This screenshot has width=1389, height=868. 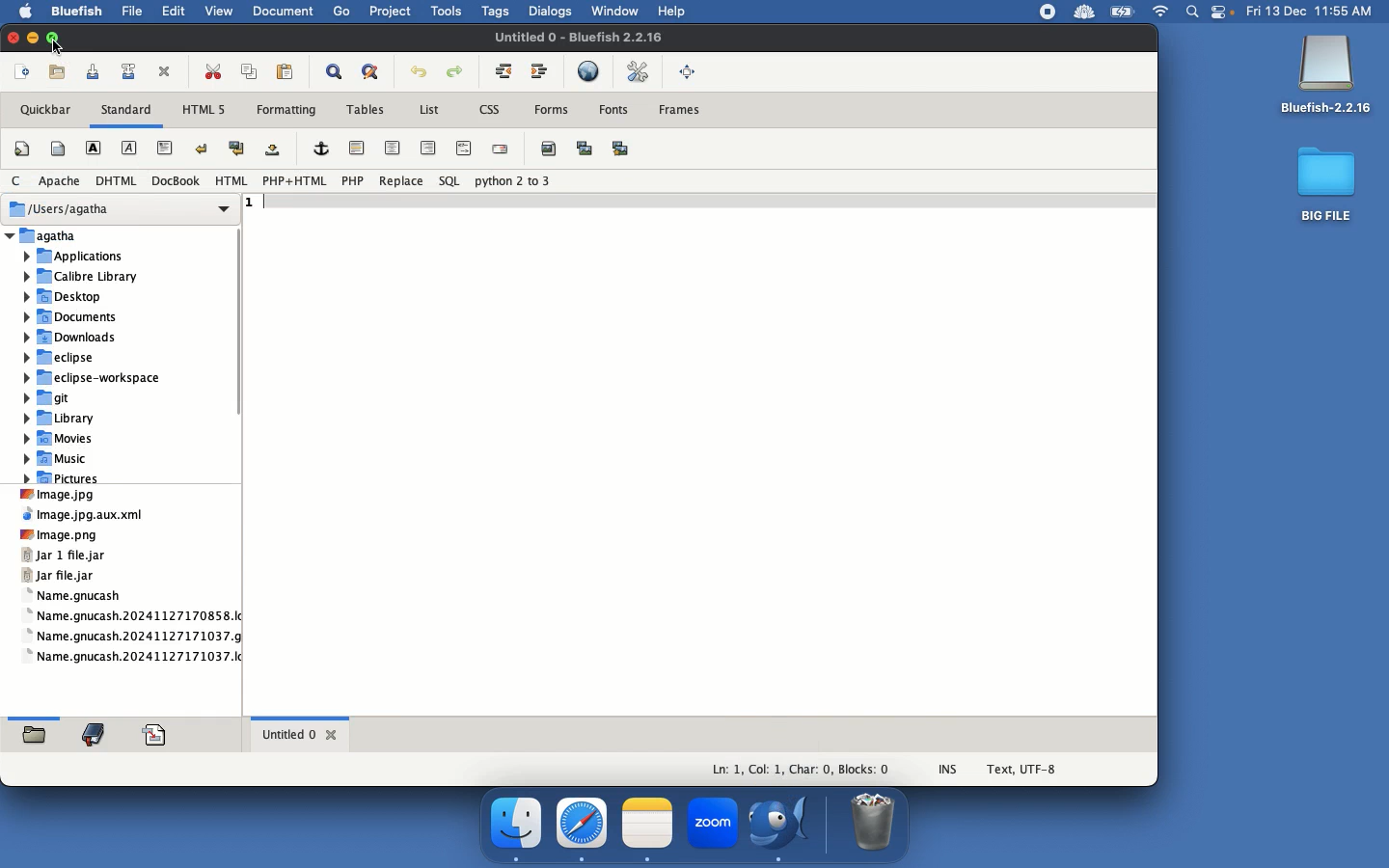 What do you see at coordinates (25, 150) in the screenshot?
I see `Quick start` at bounding box center [25, 150].